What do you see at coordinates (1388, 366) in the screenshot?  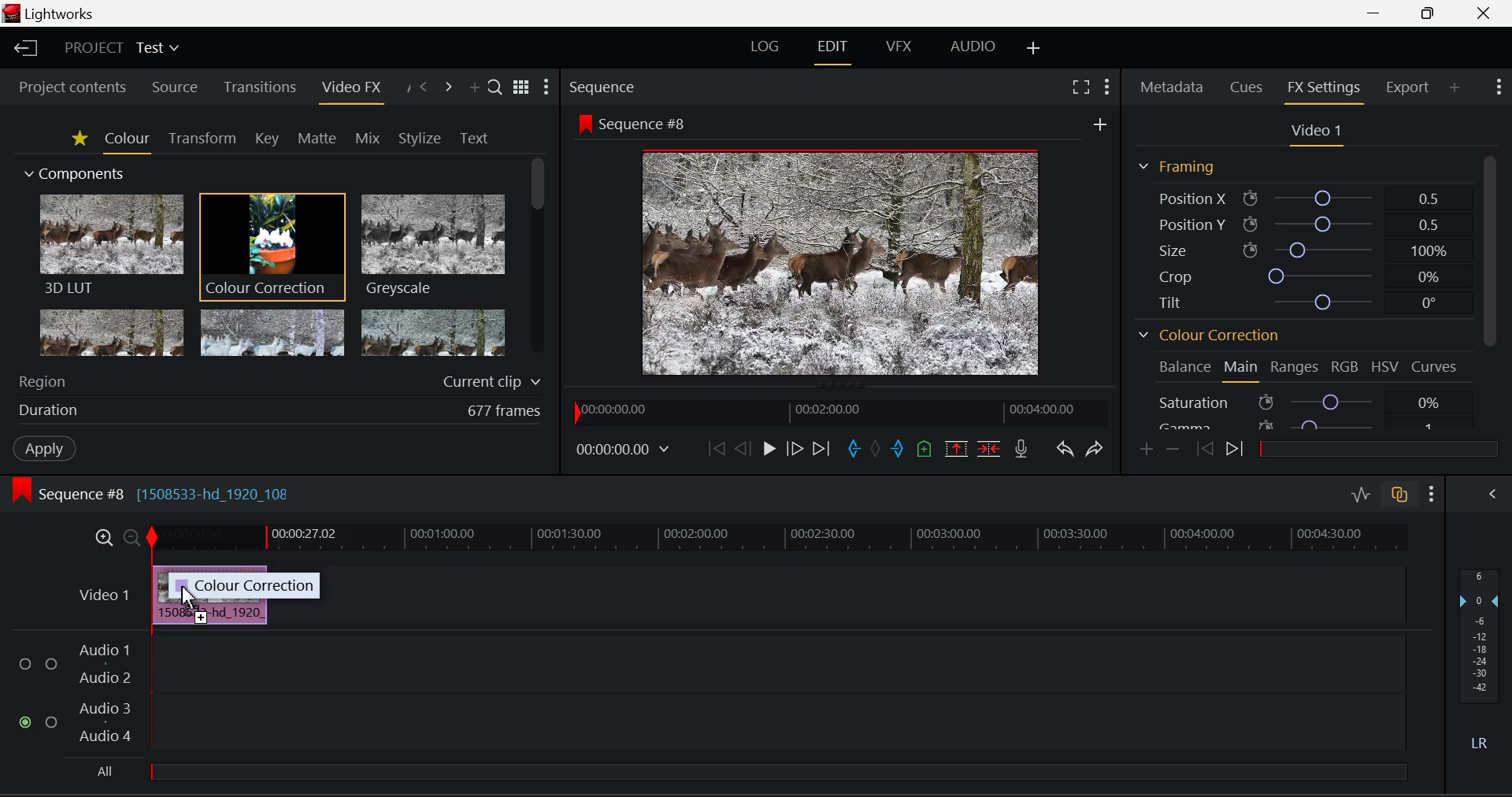 I see `HSV` at bounding box center [1388, 366].